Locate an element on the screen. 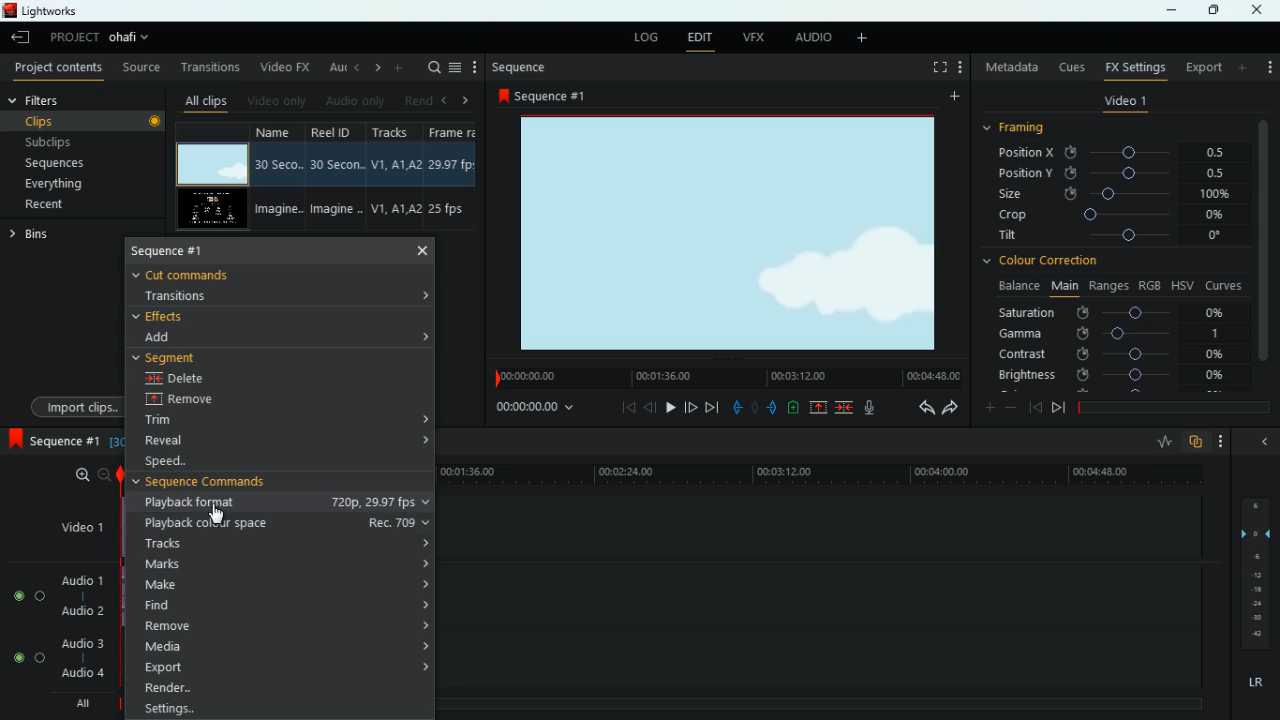 This screenshot has width=1280, height=720. subclips is located at coordinates (83, 141).